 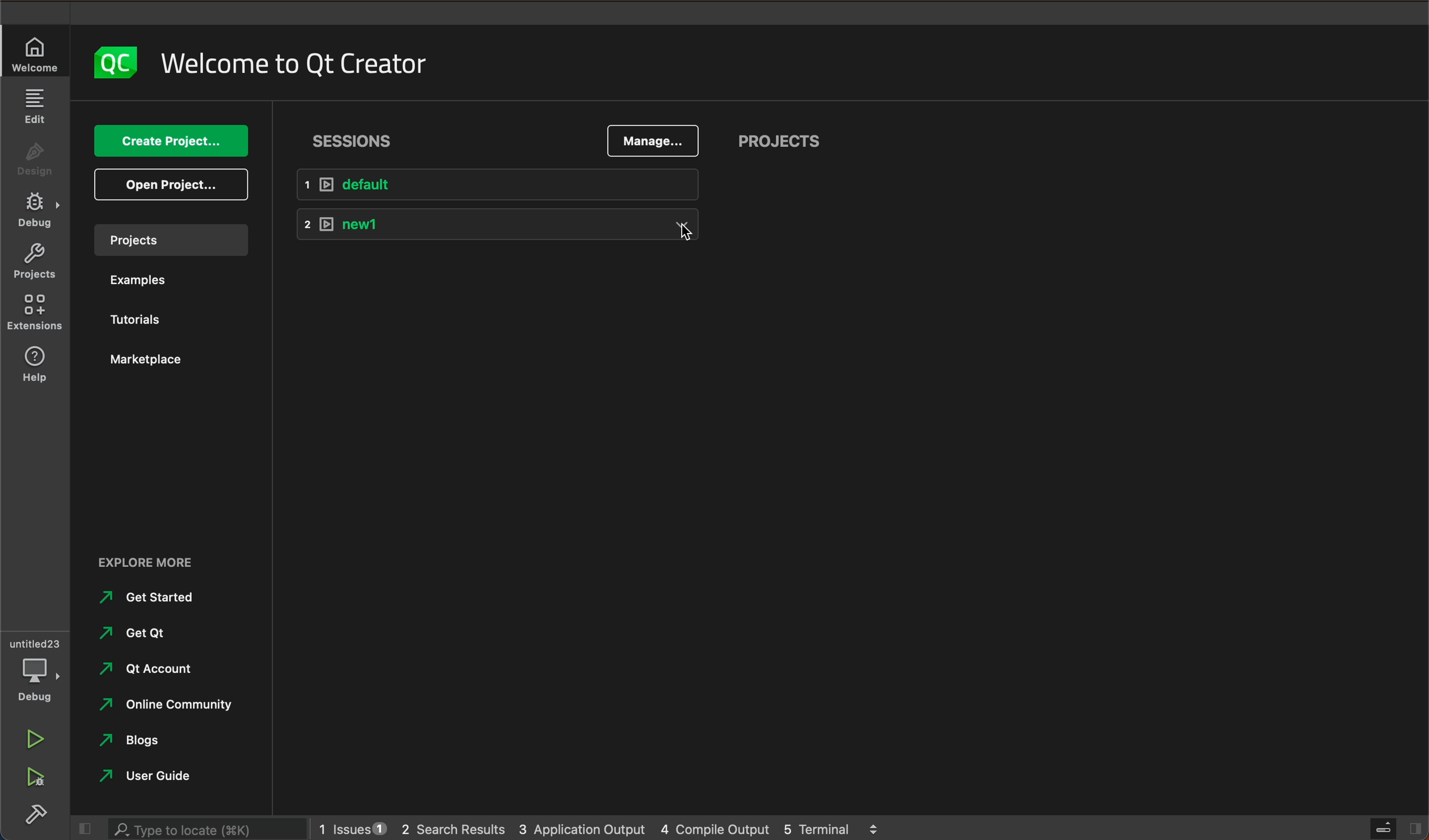 I want to click on examples, so click(x=149, y=281).